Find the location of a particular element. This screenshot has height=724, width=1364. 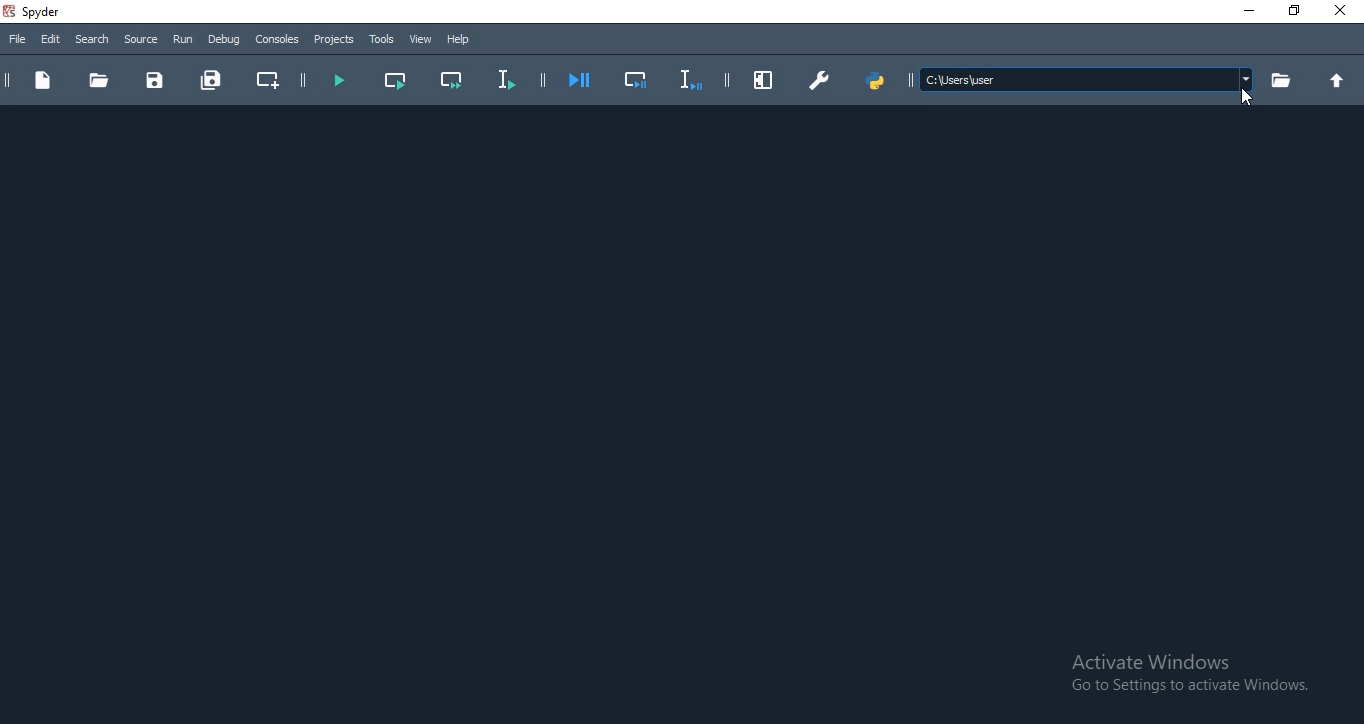

spyder Desktop Icon is located at coordinates (37, 12).